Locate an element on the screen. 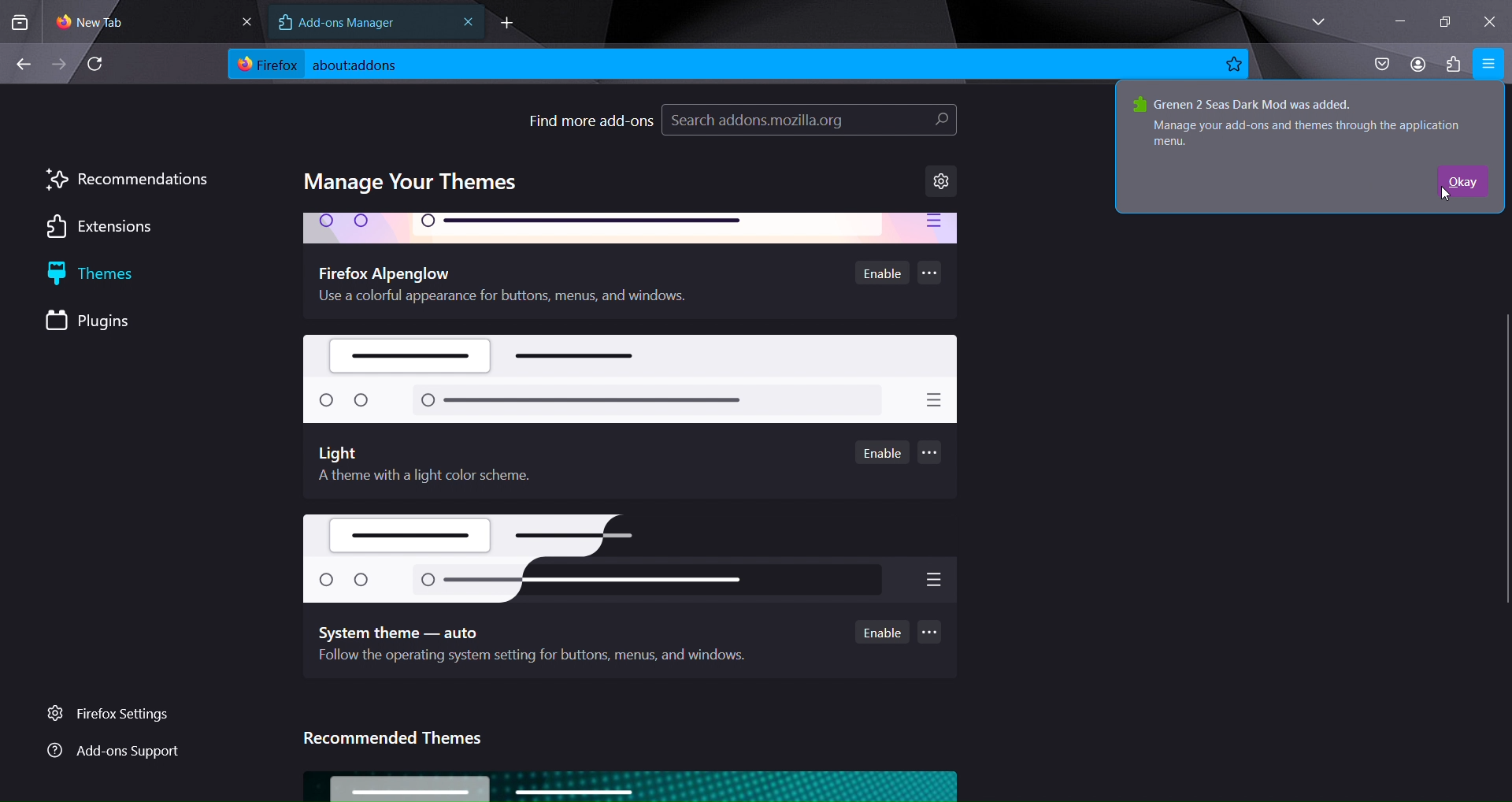  system theme - auto follow the operating system for buttons, menus and windows is located at coordinates (540, 645).